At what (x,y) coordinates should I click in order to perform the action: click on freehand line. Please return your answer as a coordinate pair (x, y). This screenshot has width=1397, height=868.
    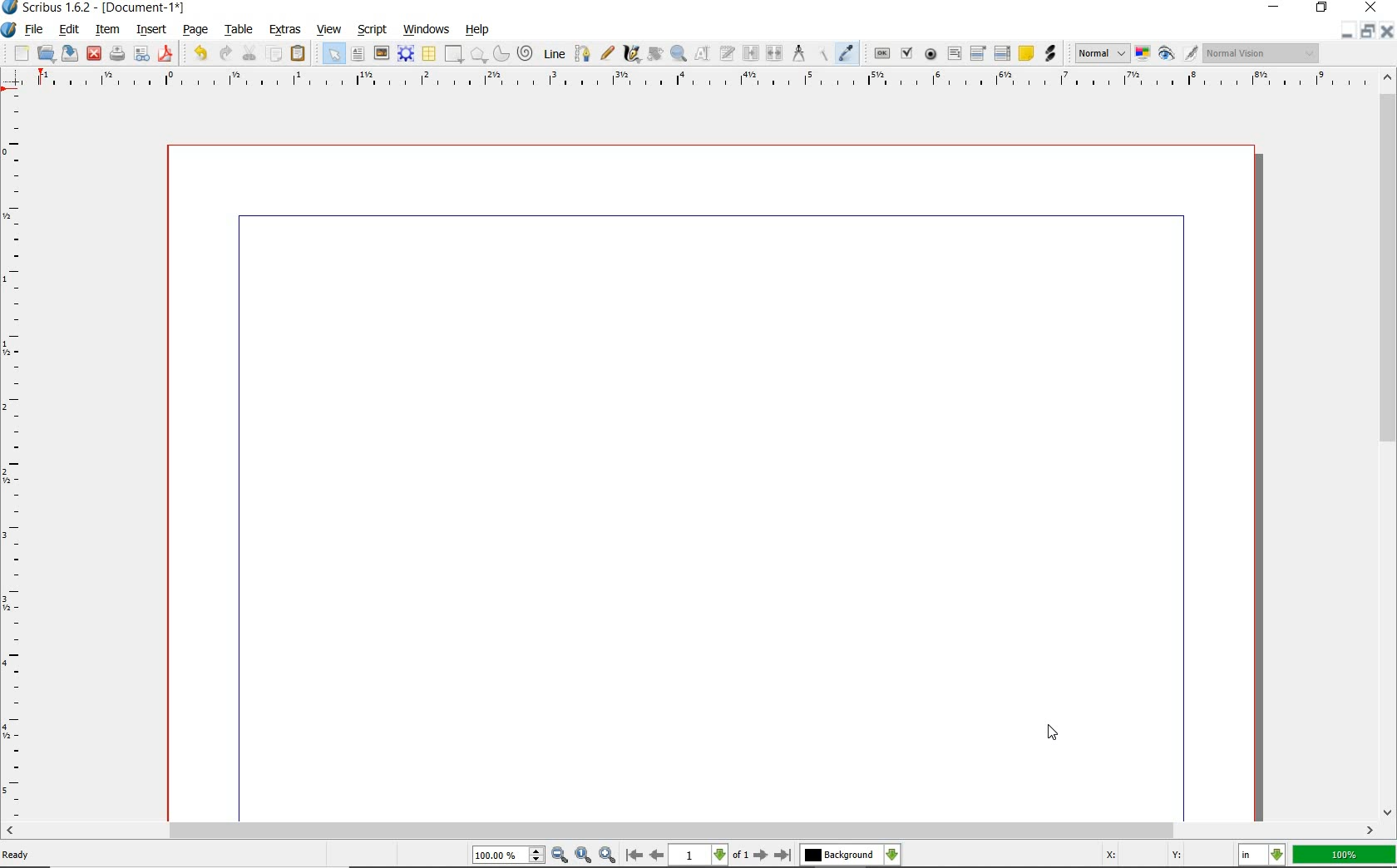
    Looking at the image, I should click on (608, 53).